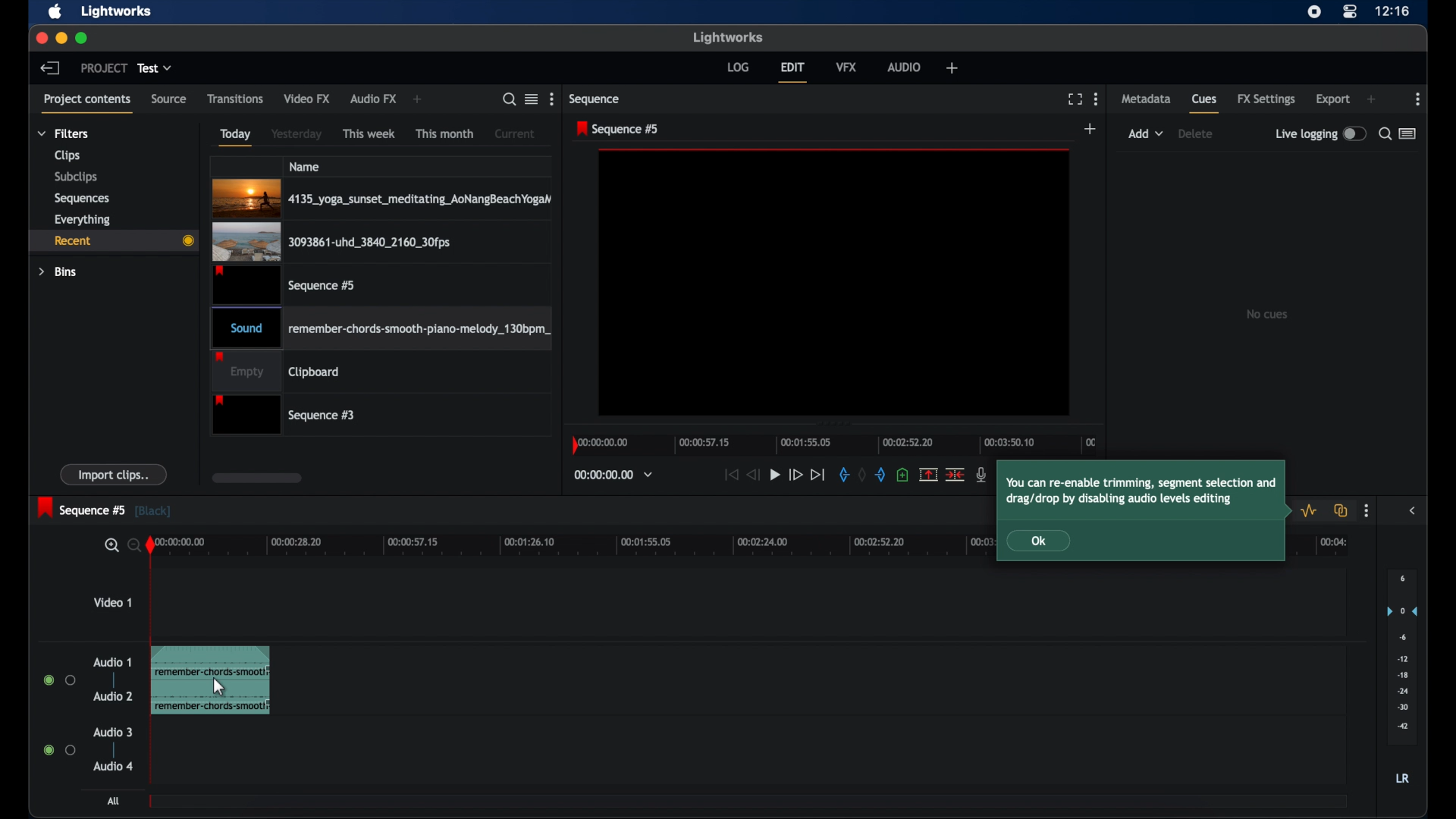  Describe the element at coordinates (730, 475) in the screenshot. I see `jump to start` at that location.